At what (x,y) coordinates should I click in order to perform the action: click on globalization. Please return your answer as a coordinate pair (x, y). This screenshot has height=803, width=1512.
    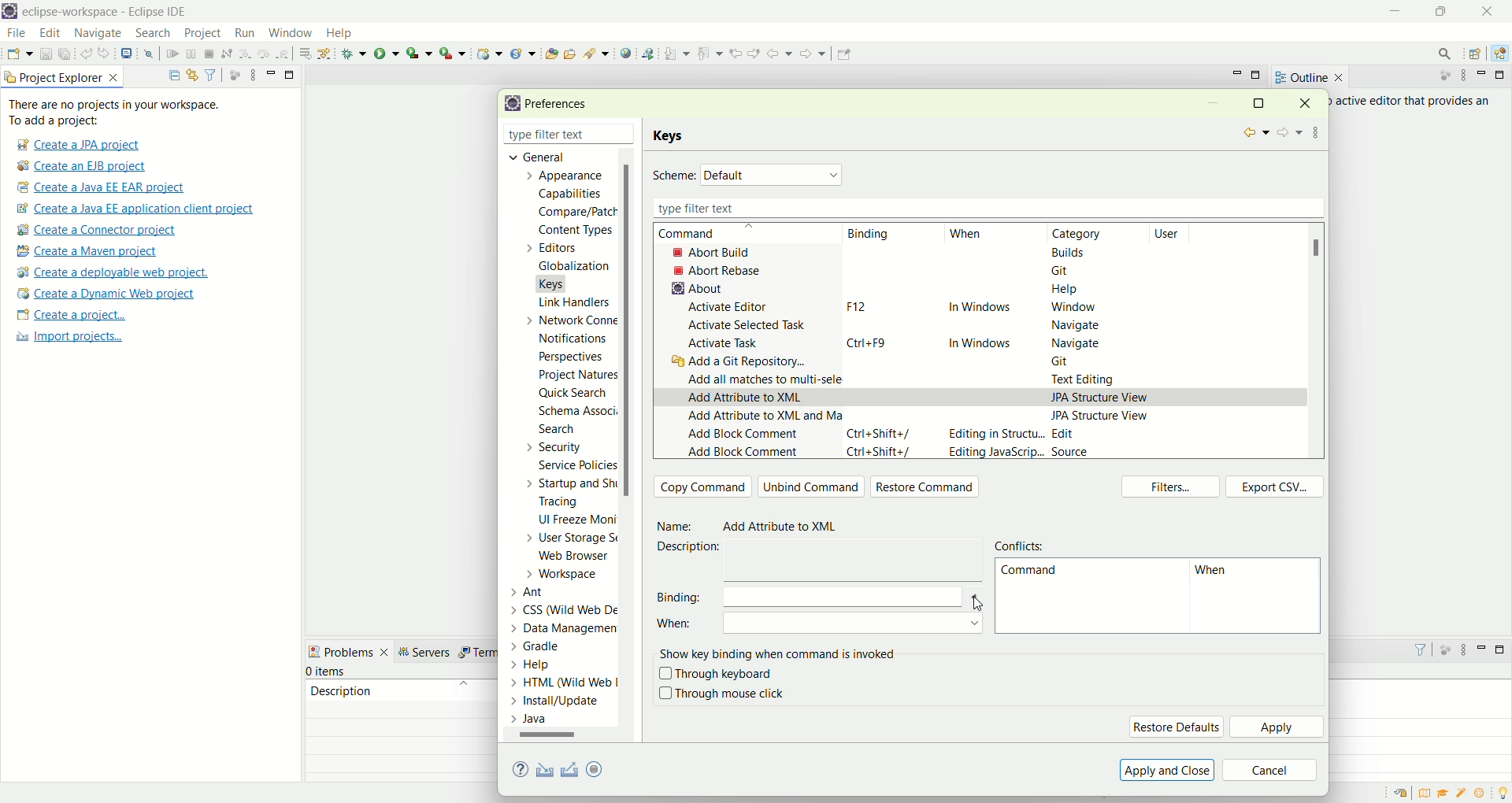
    Looking at the image, I should click on (573, 267).